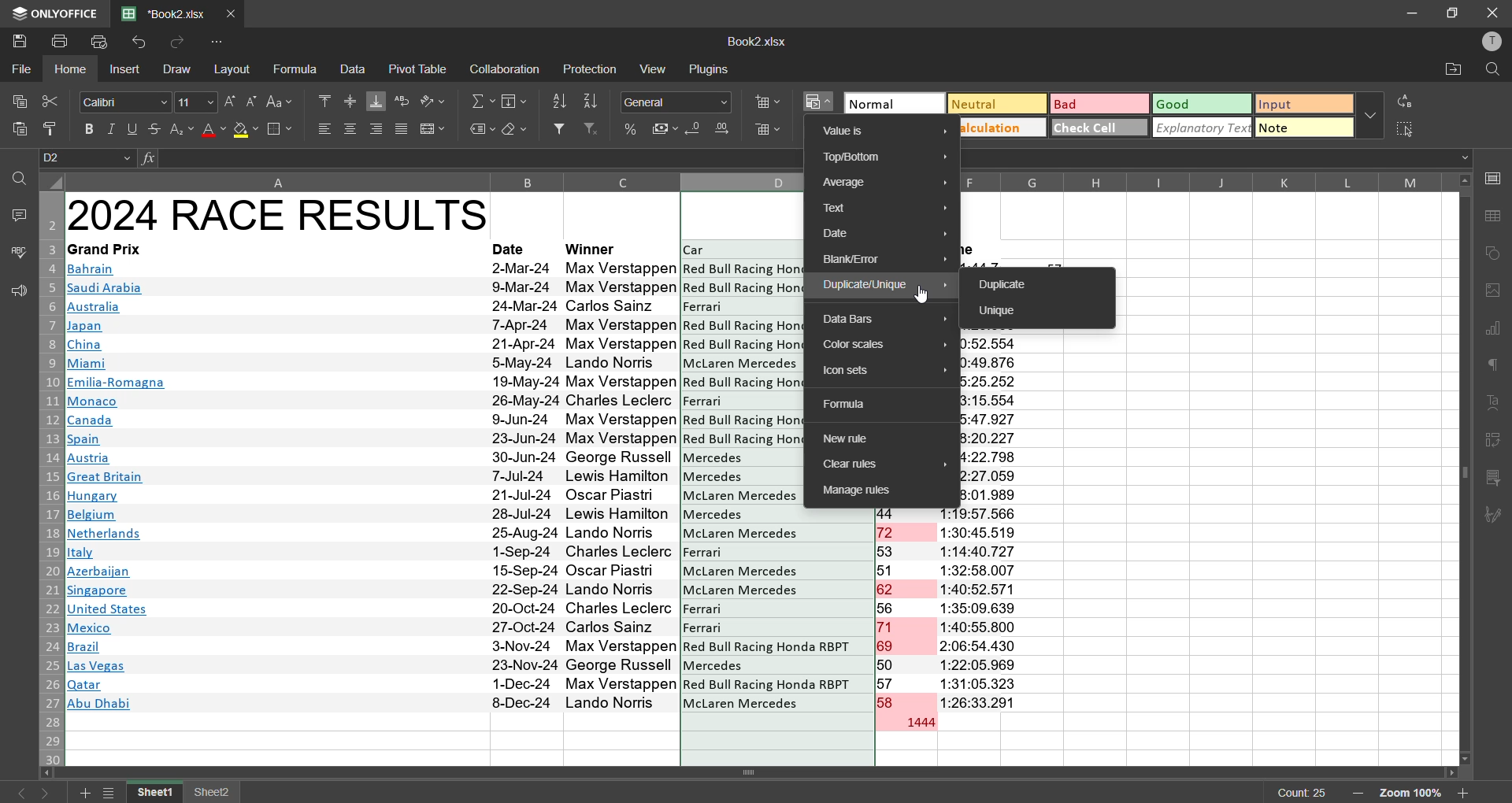 The width and height of the screenshot is (1512, 803). What do you see at coordinates (246, 131) in the screenshot?
I see `fill color` at bounding box center [246, 131].